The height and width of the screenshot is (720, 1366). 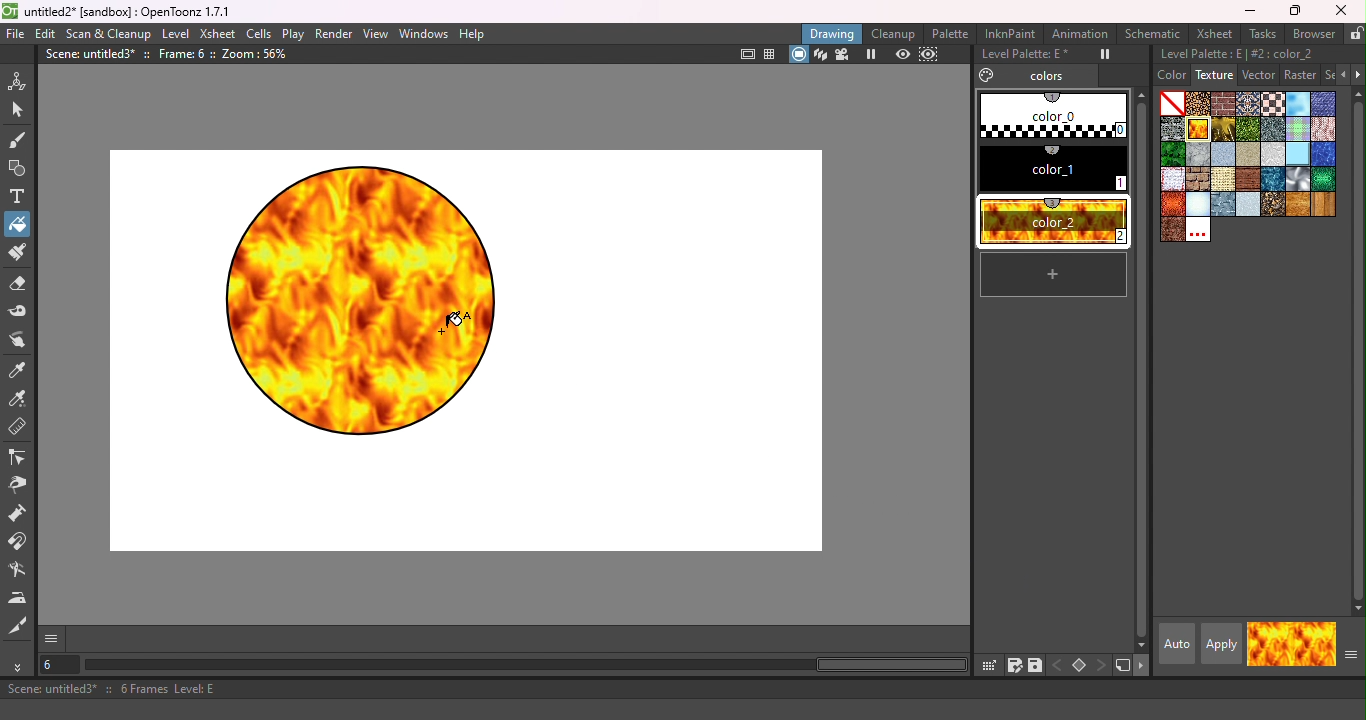 I want to click on Level, so click(x=177, y=33).